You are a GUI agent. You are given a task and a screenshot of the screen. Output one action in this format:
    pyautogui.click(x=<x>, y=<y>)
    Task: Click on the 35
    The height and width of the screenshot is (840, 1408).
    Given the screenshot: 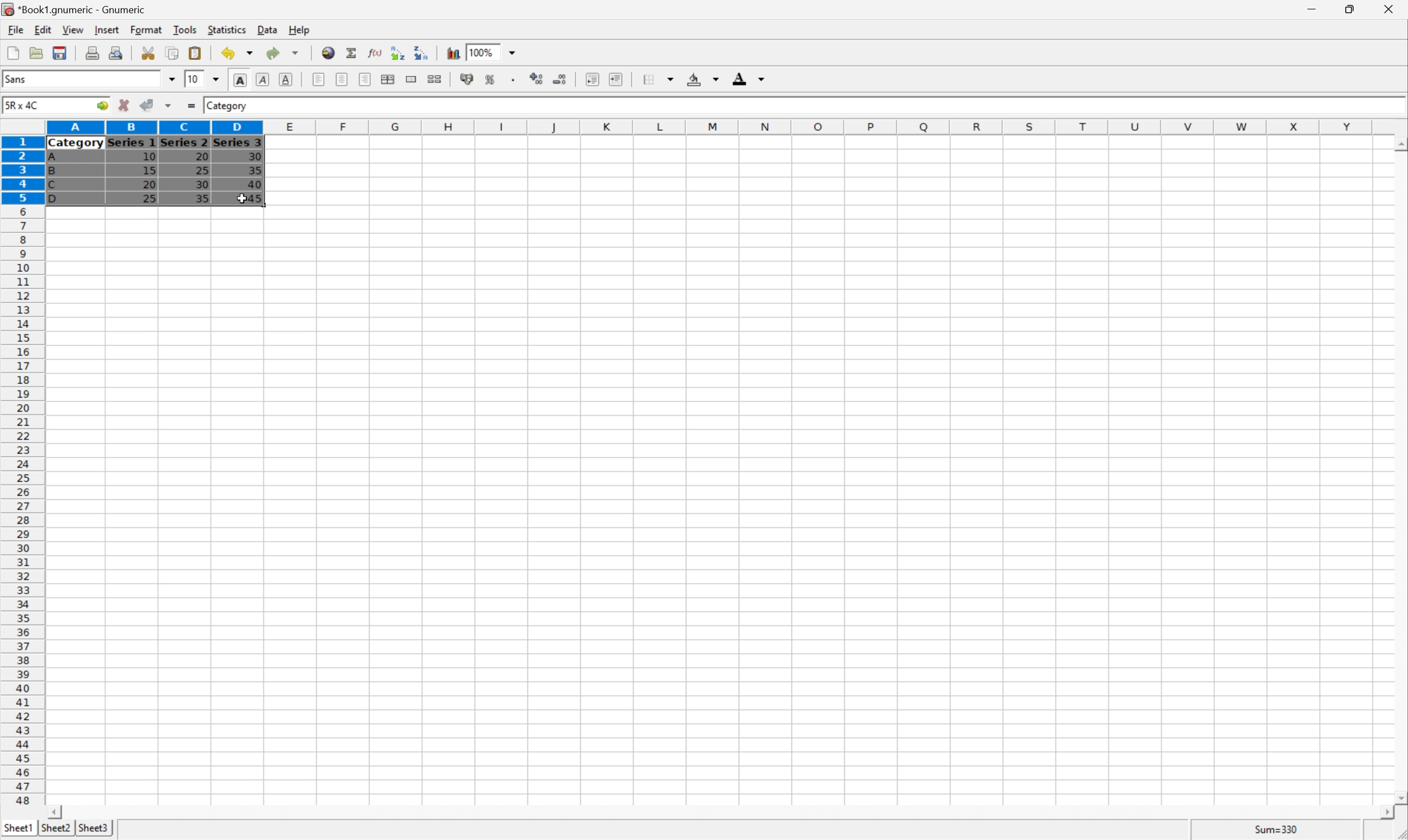 What is the action you would take?
    pyautogui.click(x=202, y=198)
    